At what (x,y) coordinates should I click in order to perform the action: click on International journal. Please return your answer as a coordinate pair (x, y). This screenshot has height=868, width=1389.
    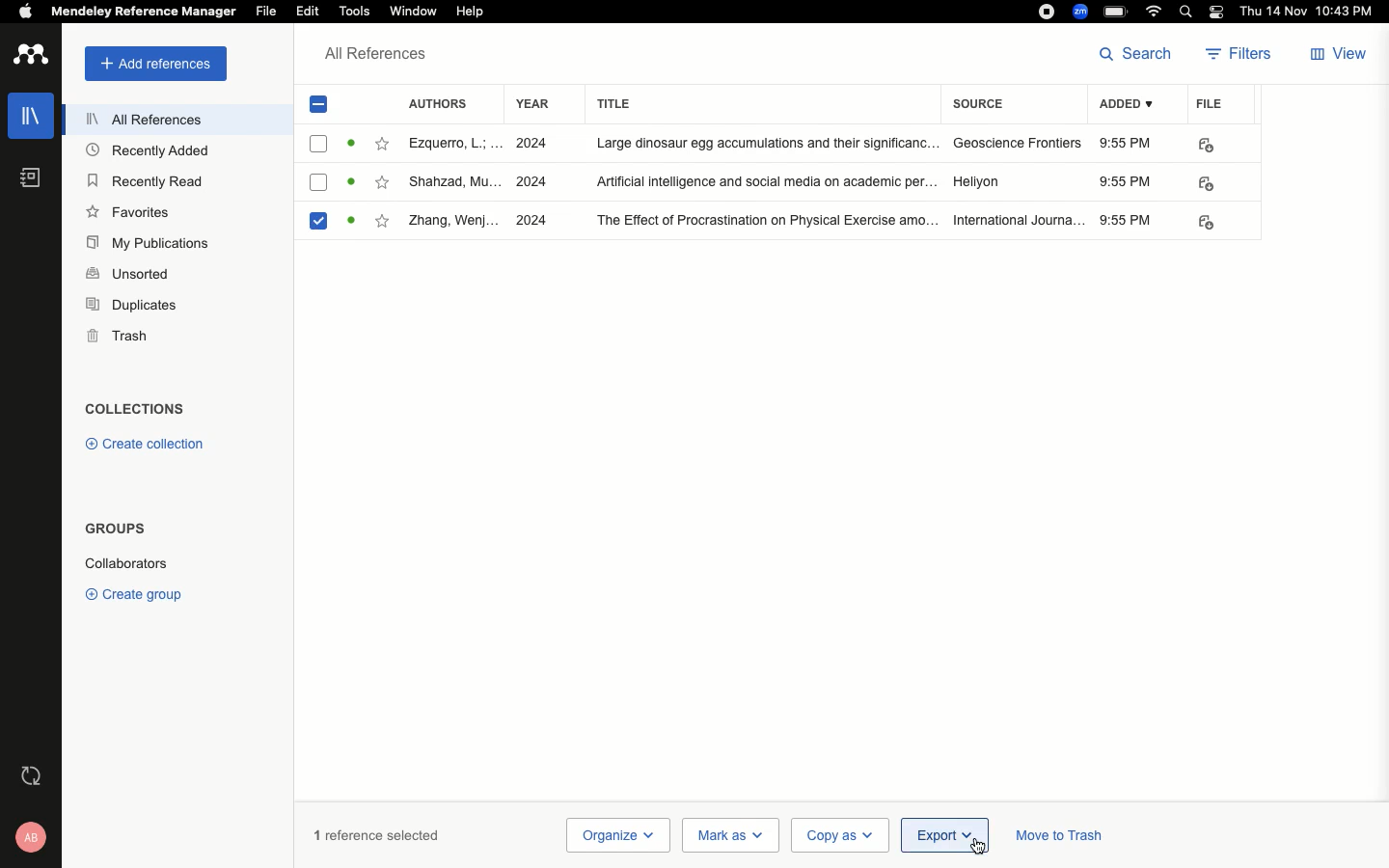
    Looking at the image, I should click on (1019, 220).